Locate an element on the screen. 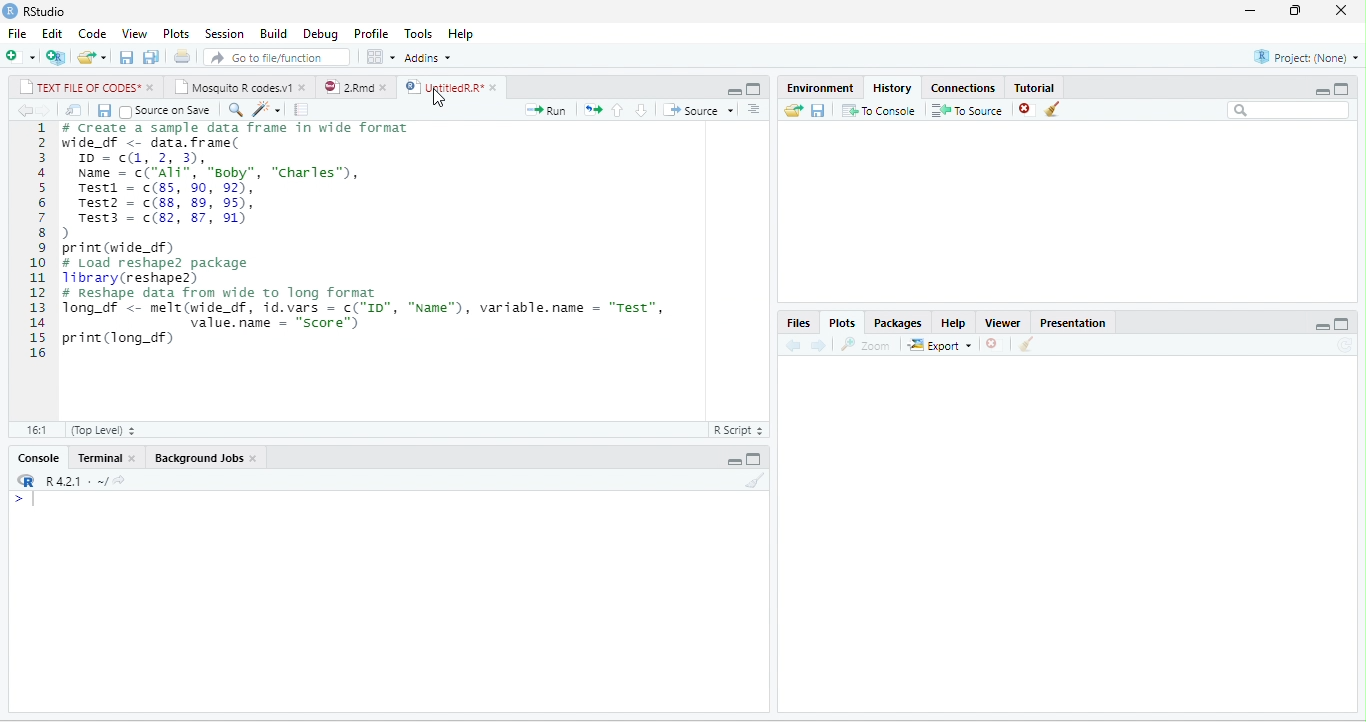 The height and width of the screenshot is (722, 1366). maximize is located at coordinates (1342, 89).